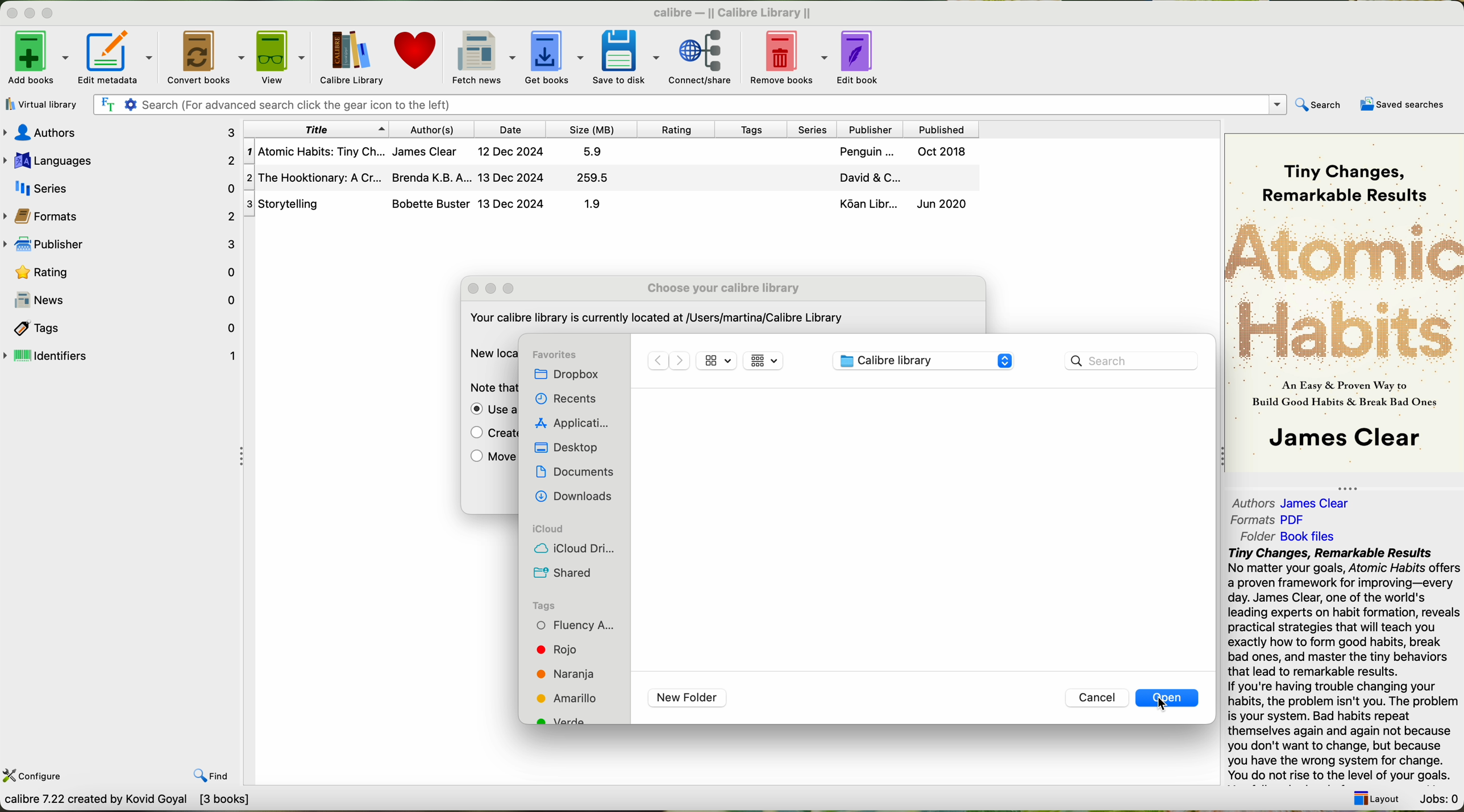 This screenshot has height=812, width=1464. Describe the element at coordinates (1400, 105) in the screenshot. I see `saved searches` at that location.